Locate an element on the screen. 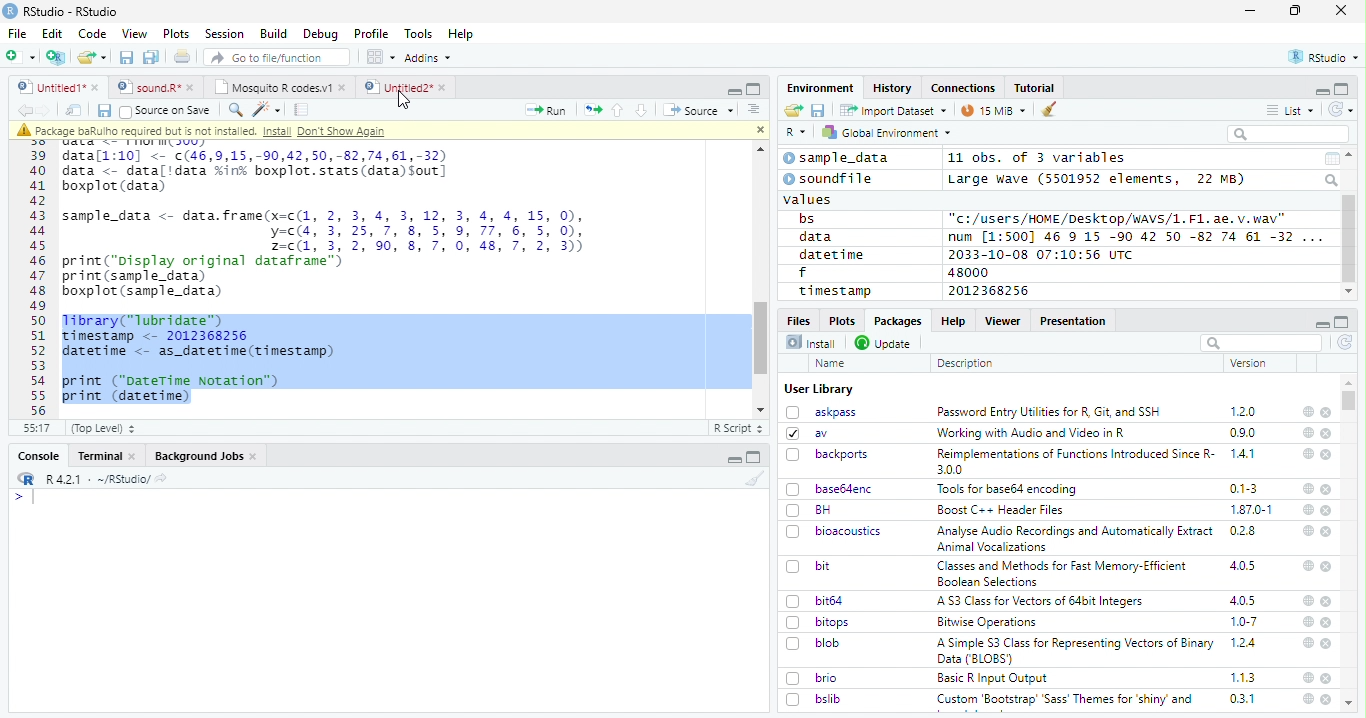  1.87.0-1 is located at coordinates (1251, 510).